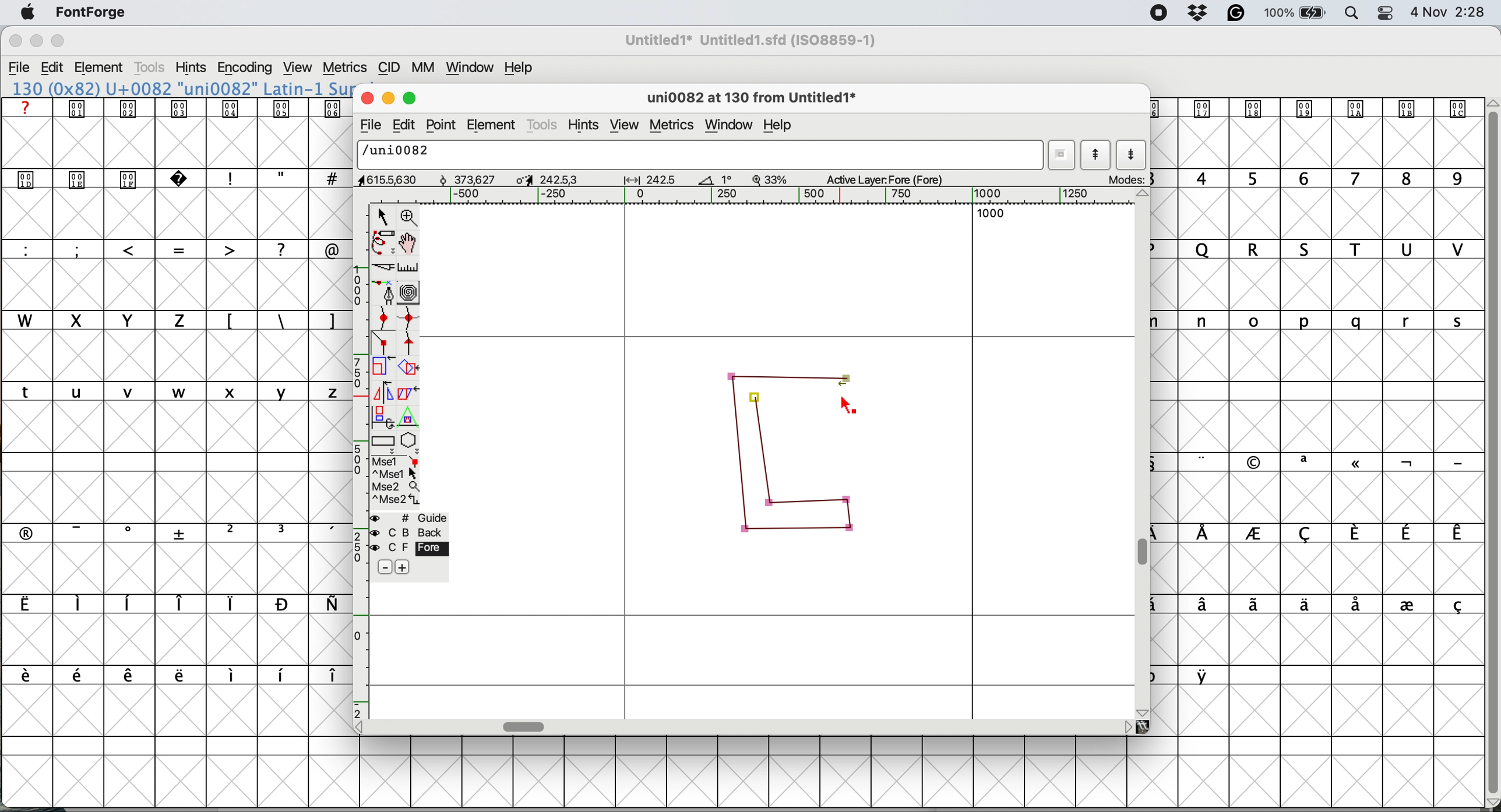 The image size is (1501, 812). I want to click on vertical scale, so click(362, 460).